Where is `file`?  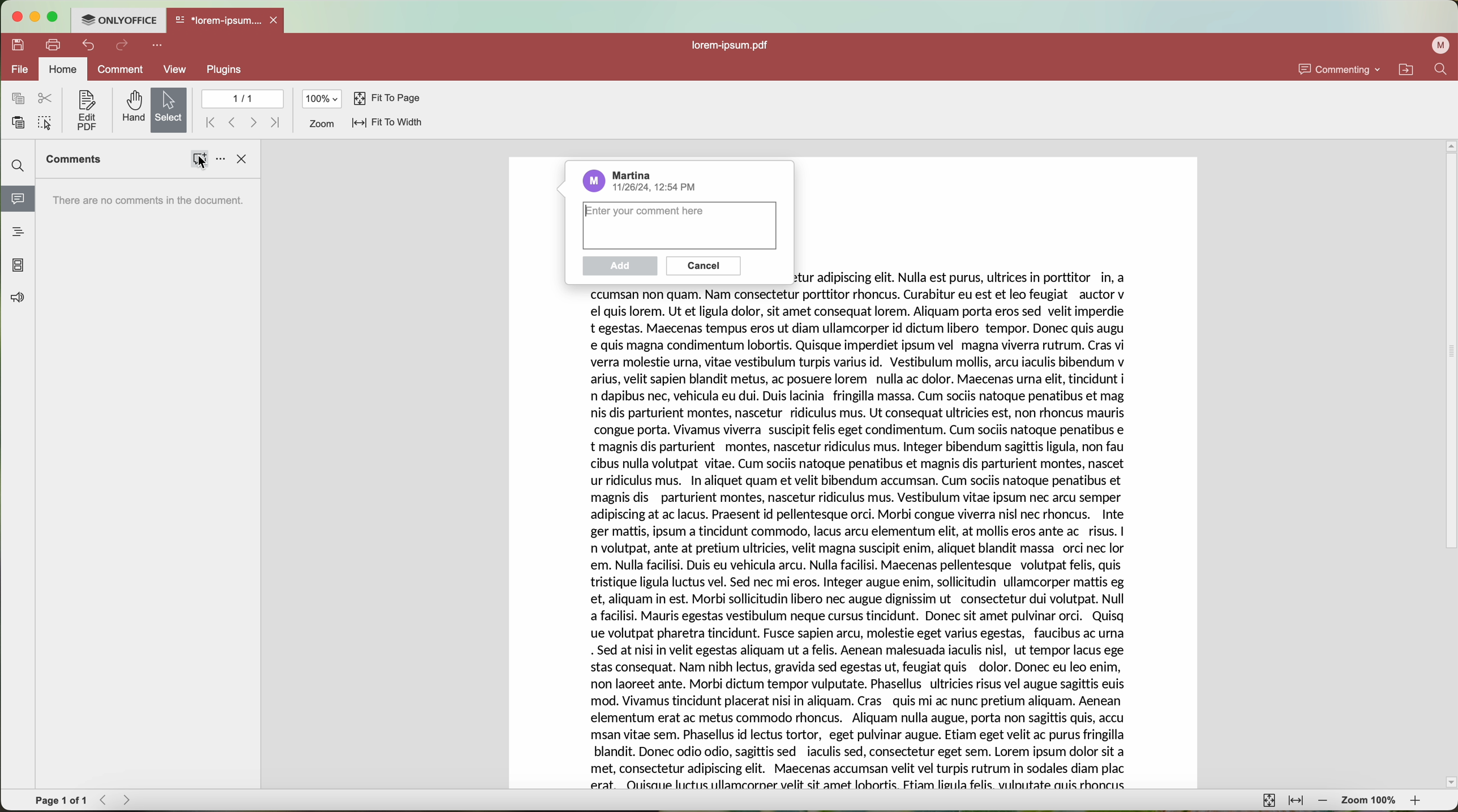 file is located at coordinates (18, 70).